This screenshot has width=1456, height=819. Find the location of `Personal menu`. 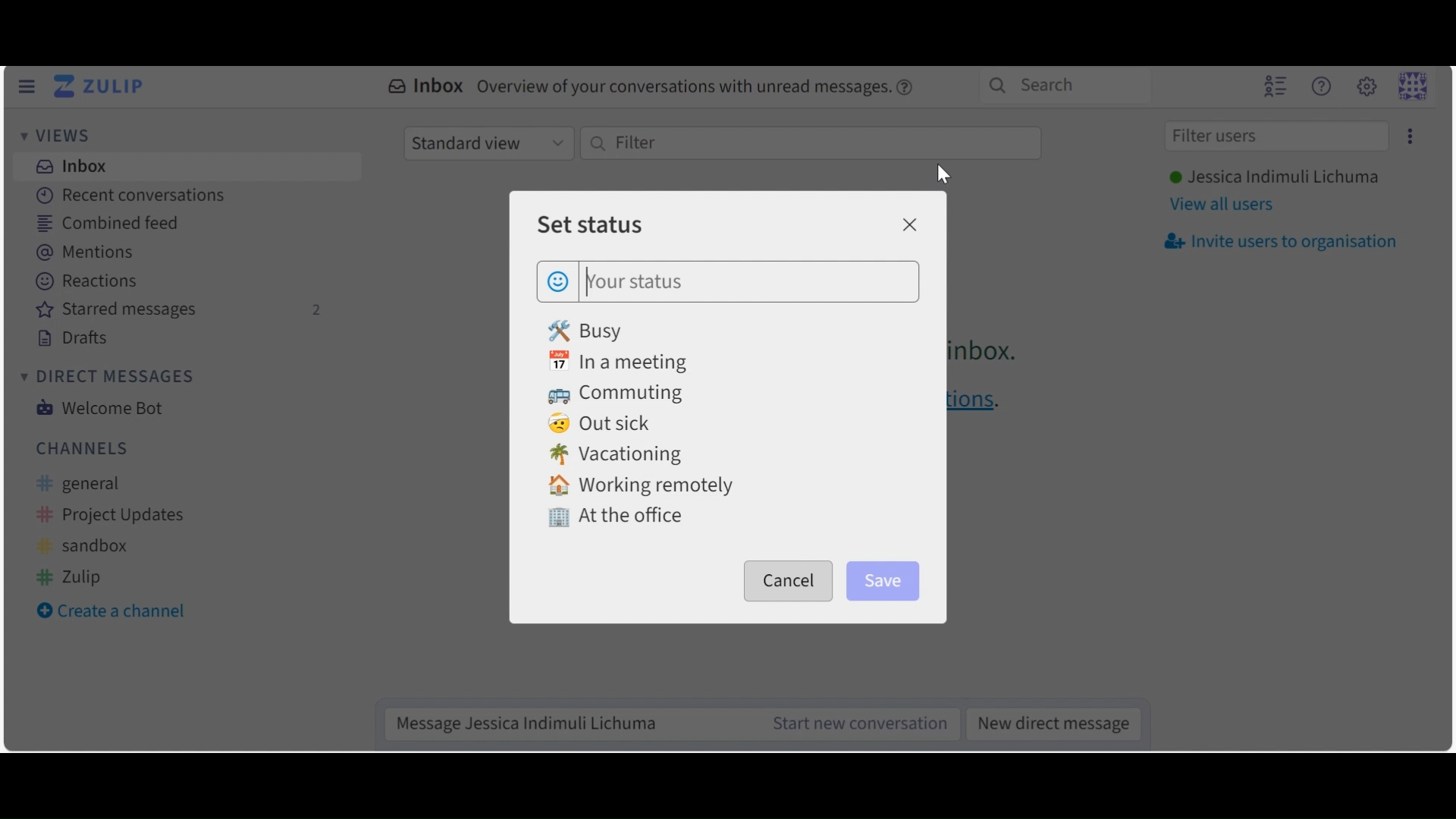

Personal menu is located at coordinates (1412, 86).